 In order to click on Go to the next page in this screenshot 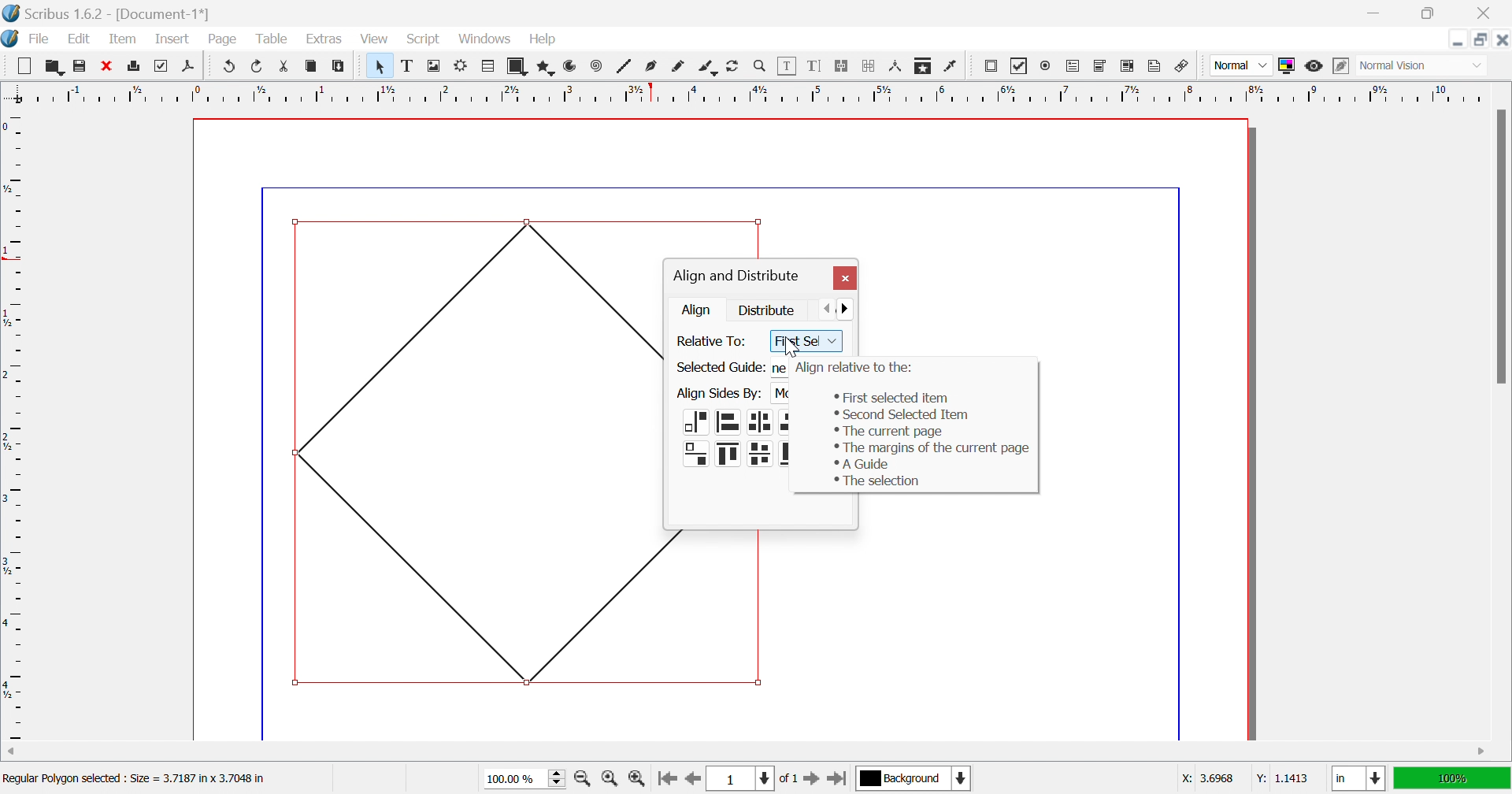, I will do `click(813, 782)`.